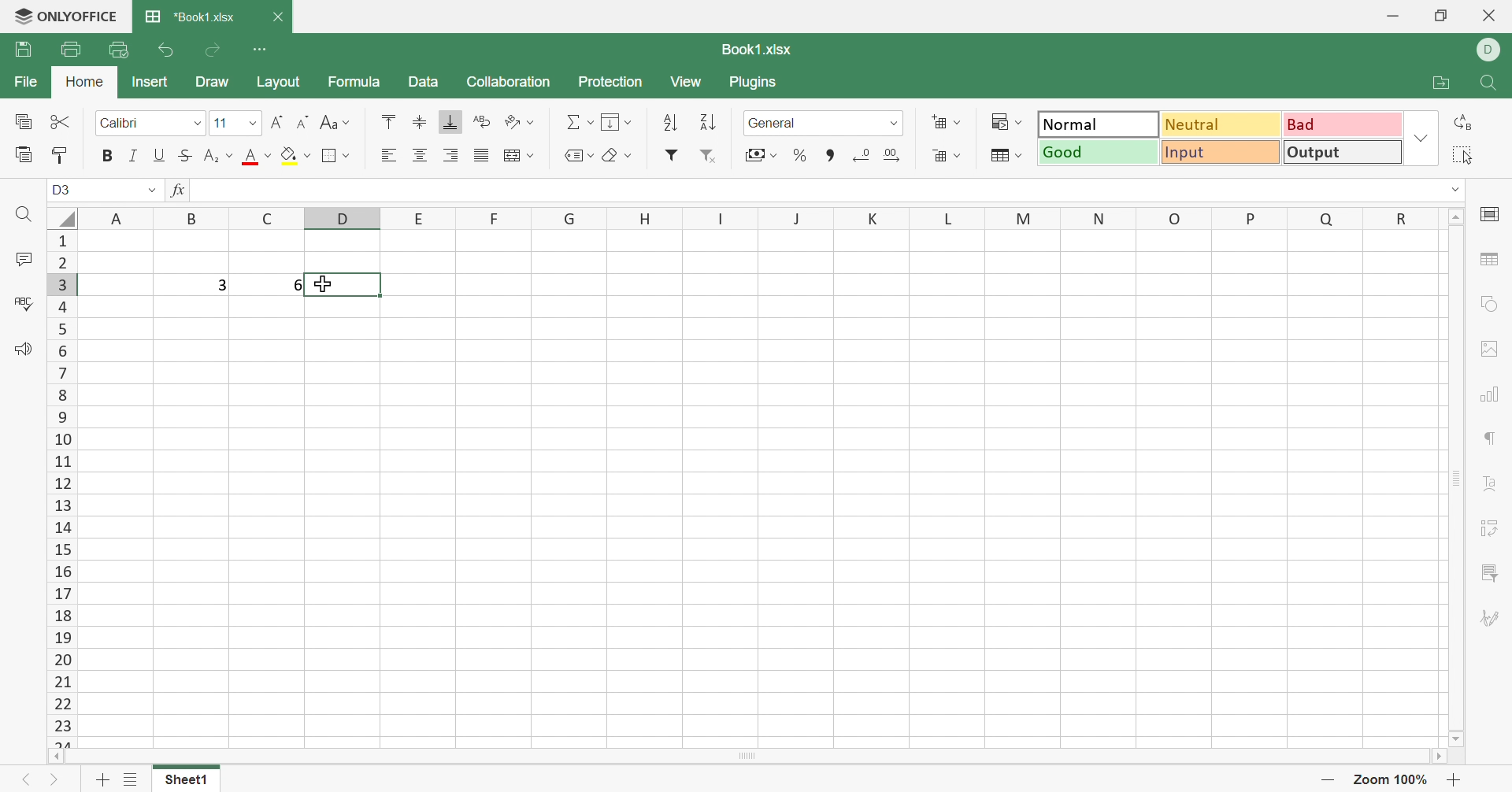 This screenshot has height=792, width=1512. Describe the element at coordinates (120, 46) in the screenshot. I see `Quick print` at that location.